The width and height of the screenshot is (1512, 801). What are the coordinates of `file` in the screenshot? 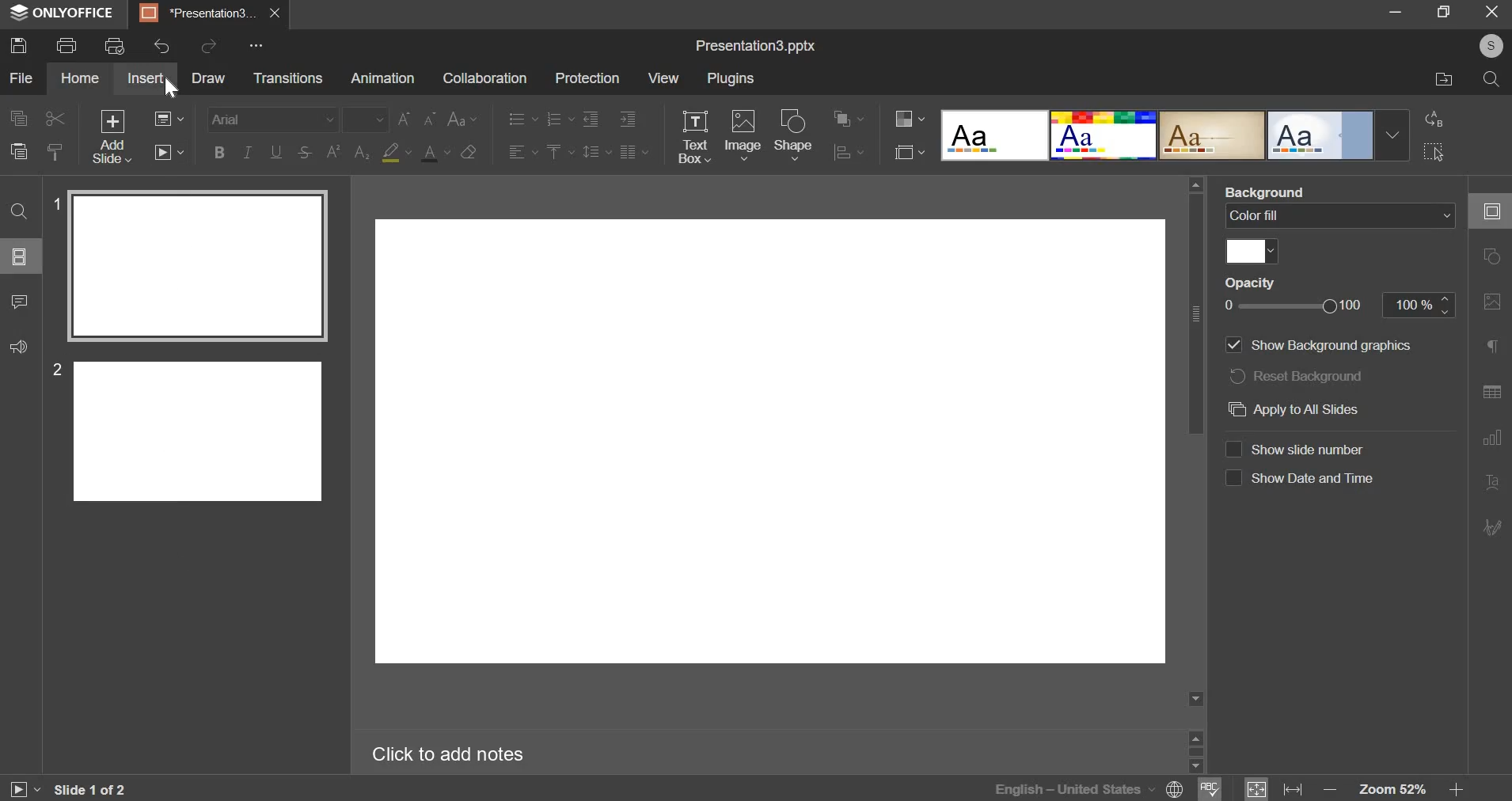 It's located at (23, 78).